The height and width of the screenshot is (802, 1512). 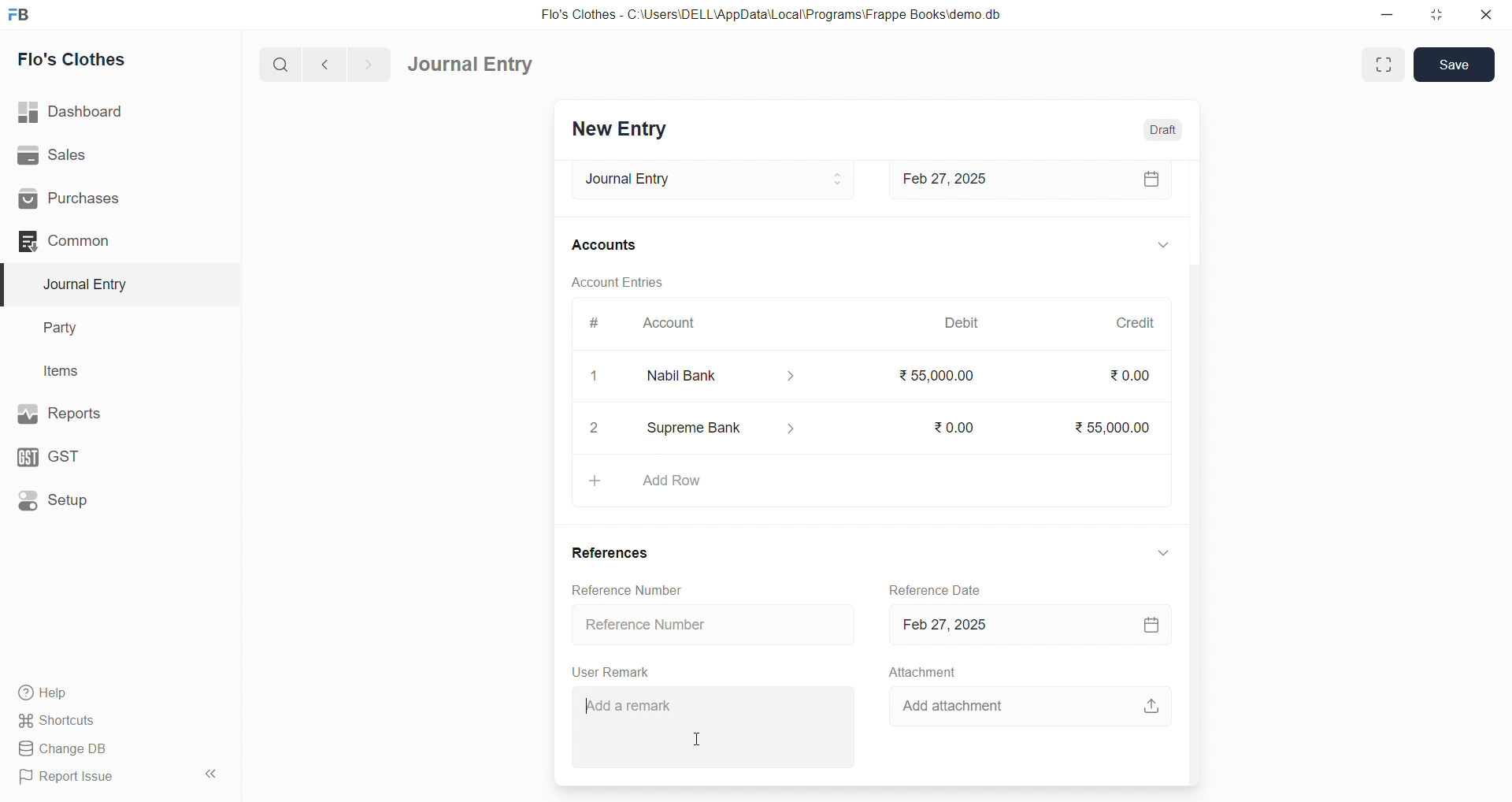 What do you see at coordinates (98, 694) in the screenshot?
I see `Help` at bounding box center [98, 694].